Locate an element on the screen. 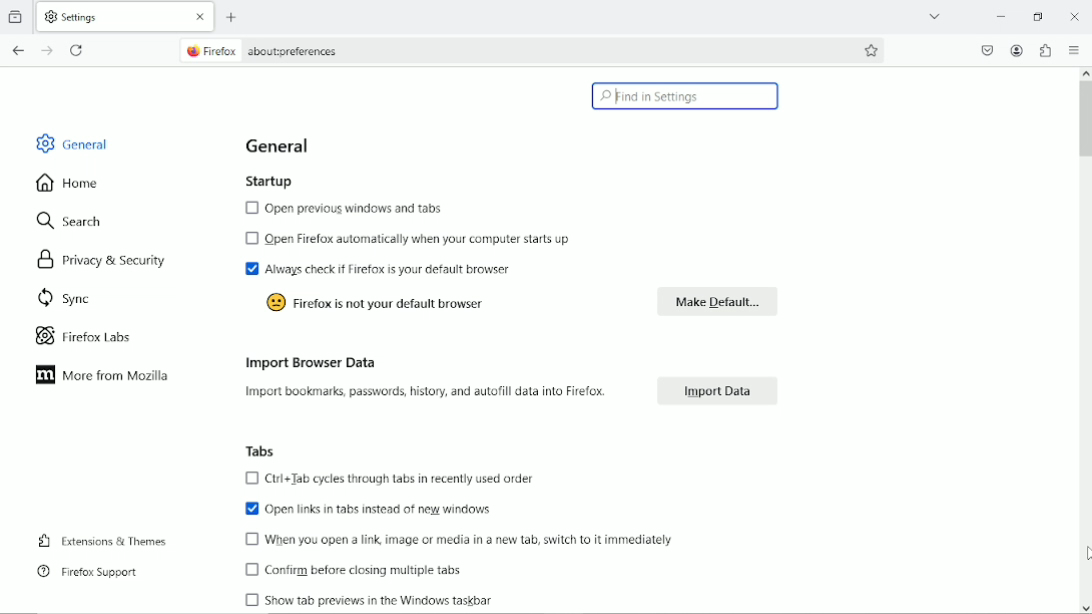 The width and height of the screenshot is (1092, 614). New tab is located at coordinates (232, 17).